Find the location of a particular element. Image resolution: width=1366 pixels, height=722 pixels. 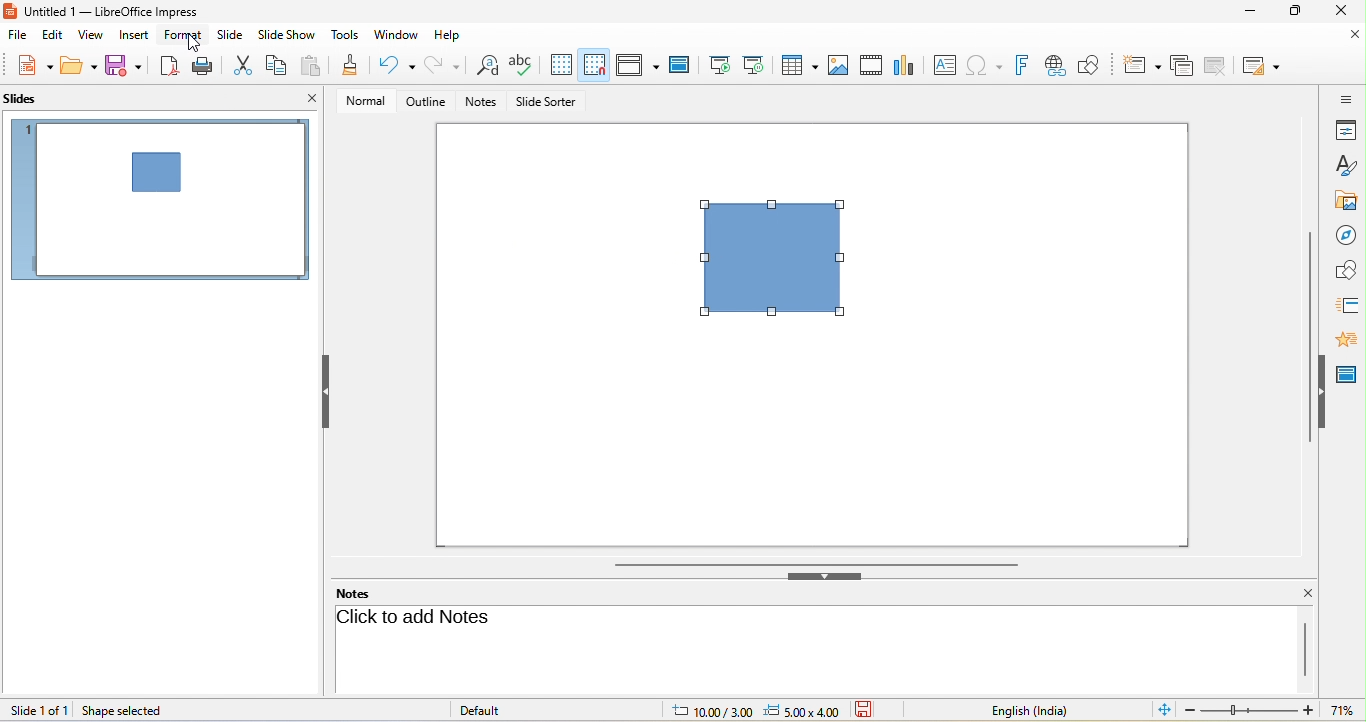

insert is located at coordinates (139, 36).